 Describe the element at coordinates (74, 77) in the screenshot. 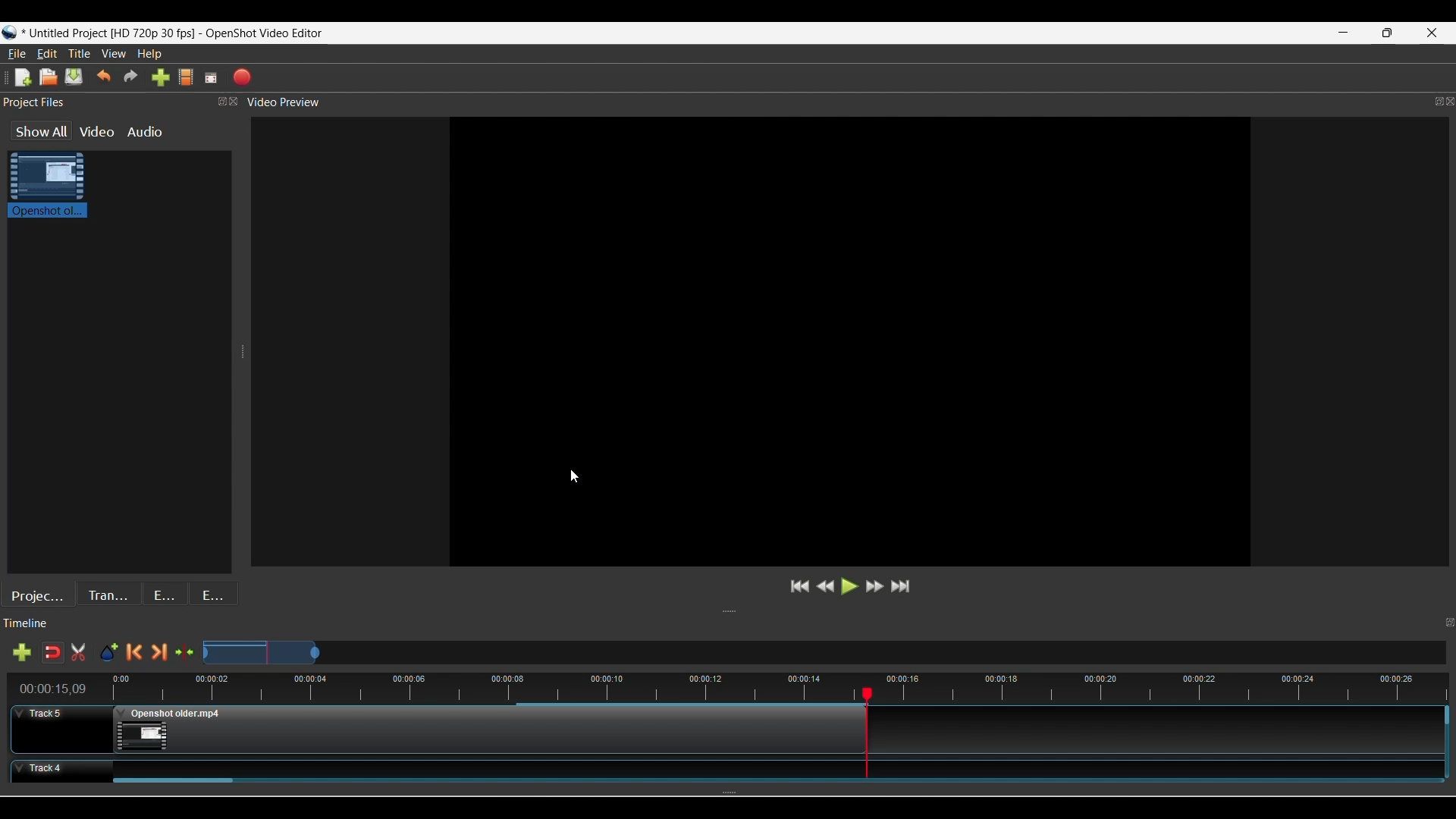

I see `Save file` at that location.